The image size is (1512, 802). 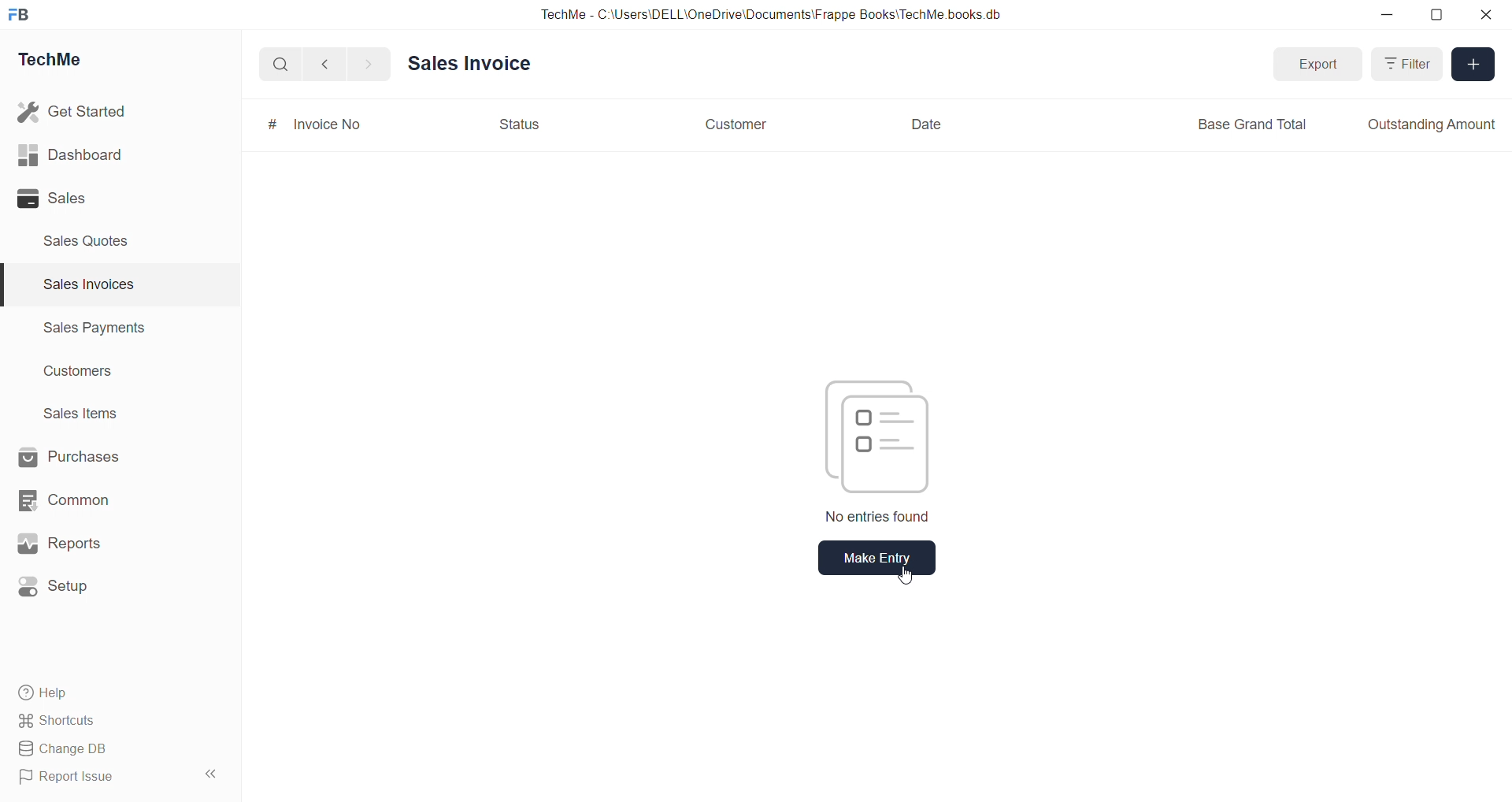 I want to click on Filter, so click(x=1410, y=64).